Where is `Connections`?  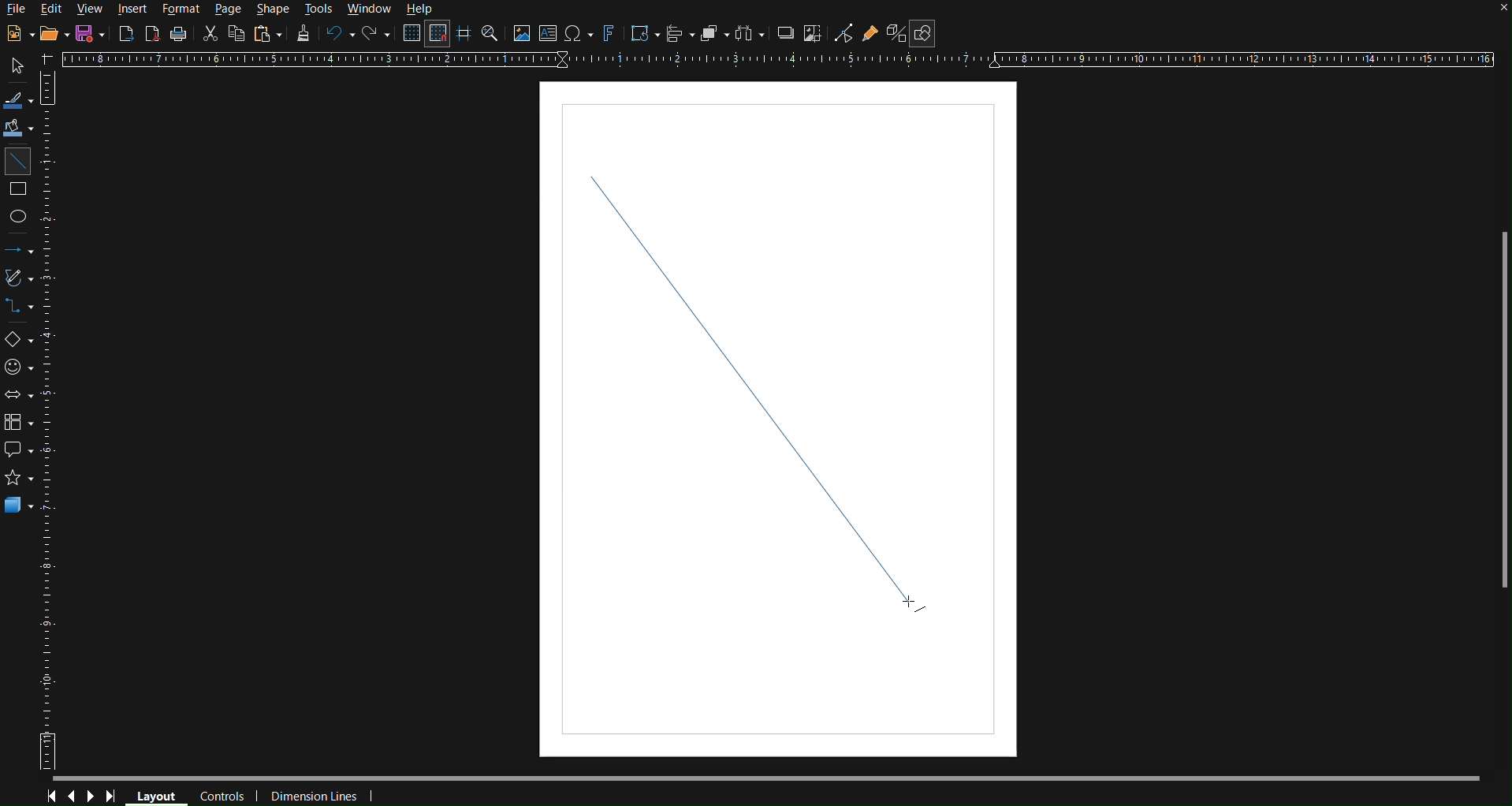 Connections is located at coordinates (20, 306).